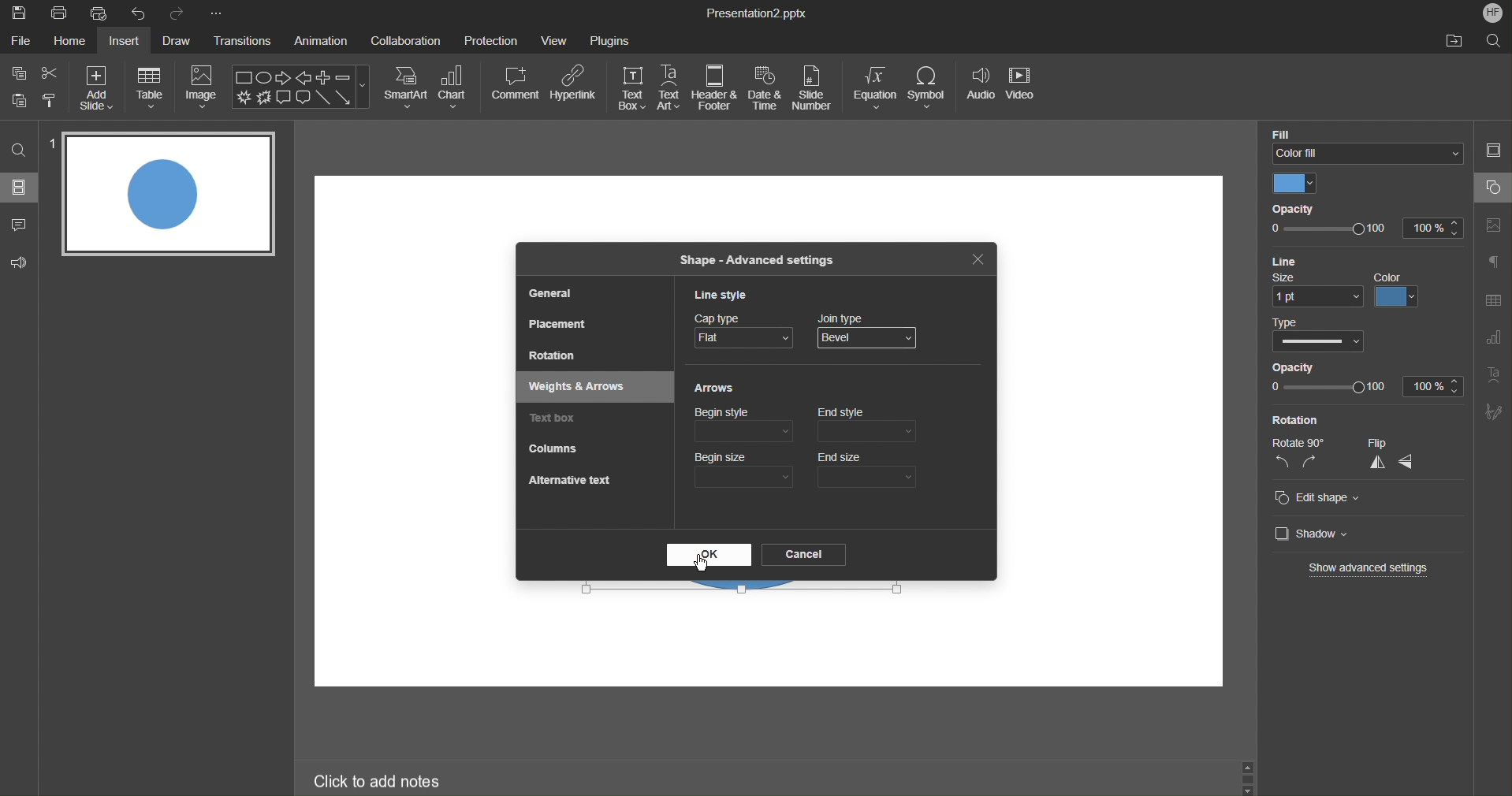 Image resolution: width=1512 pixels, height=796 pixels. Describe the element at coordinates (1328, 388) in the screenshot. I see `opacity slider` at that location.